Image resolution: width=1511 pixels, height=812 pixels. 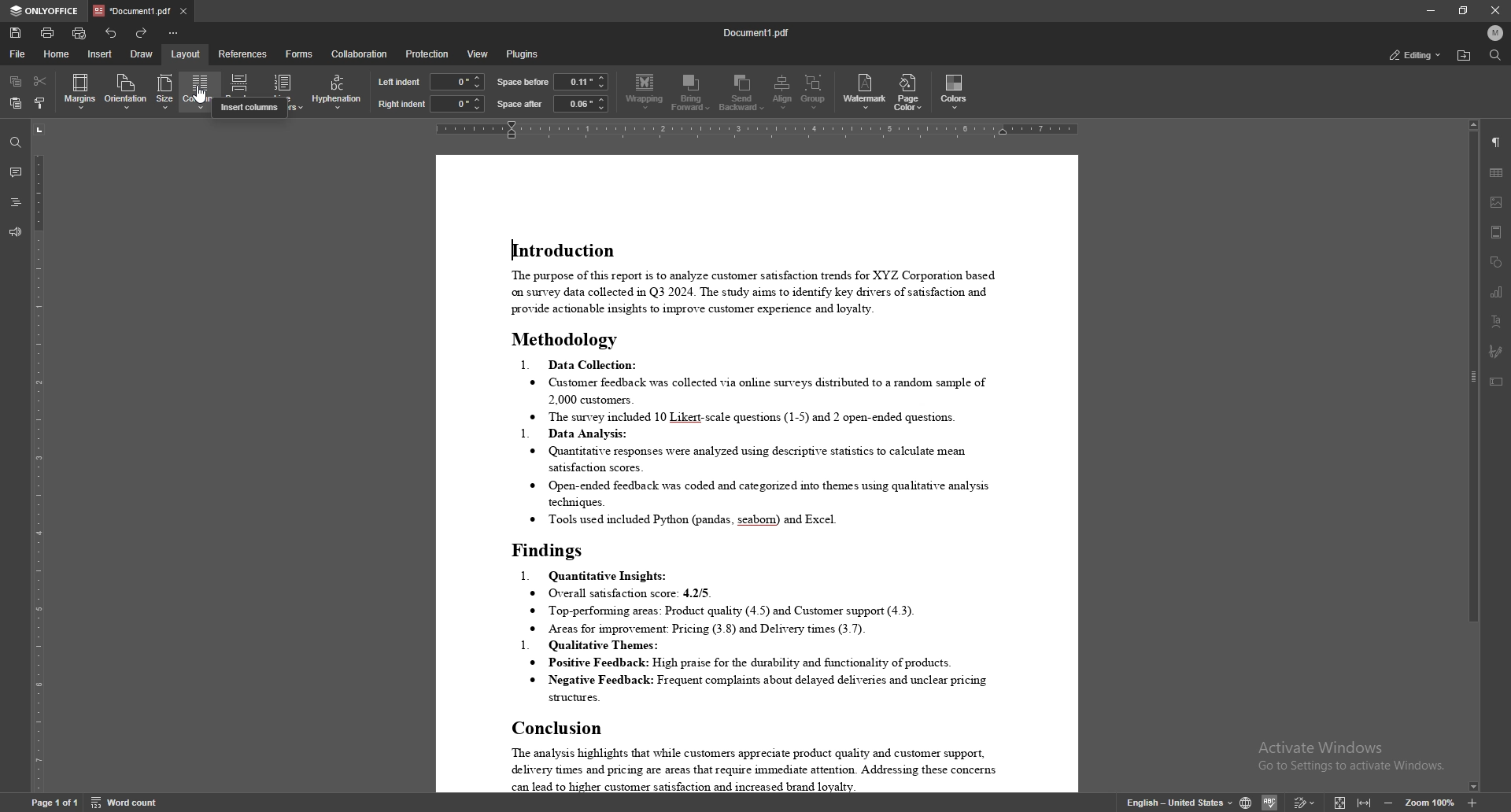 I want to click on undo, so click(x=110, y=33).